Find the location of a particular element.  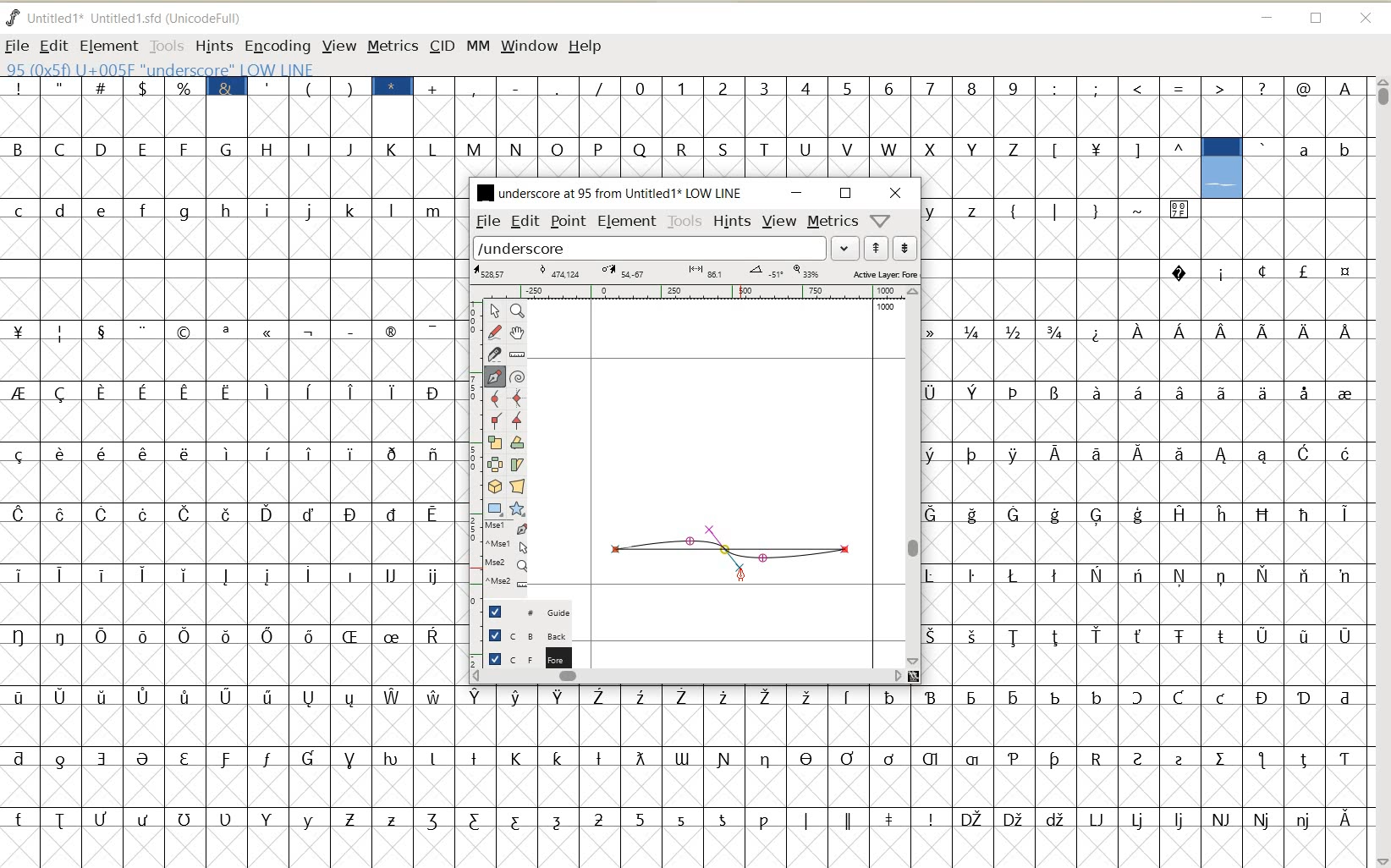

GUIDE is located at coordinates (525, 610).